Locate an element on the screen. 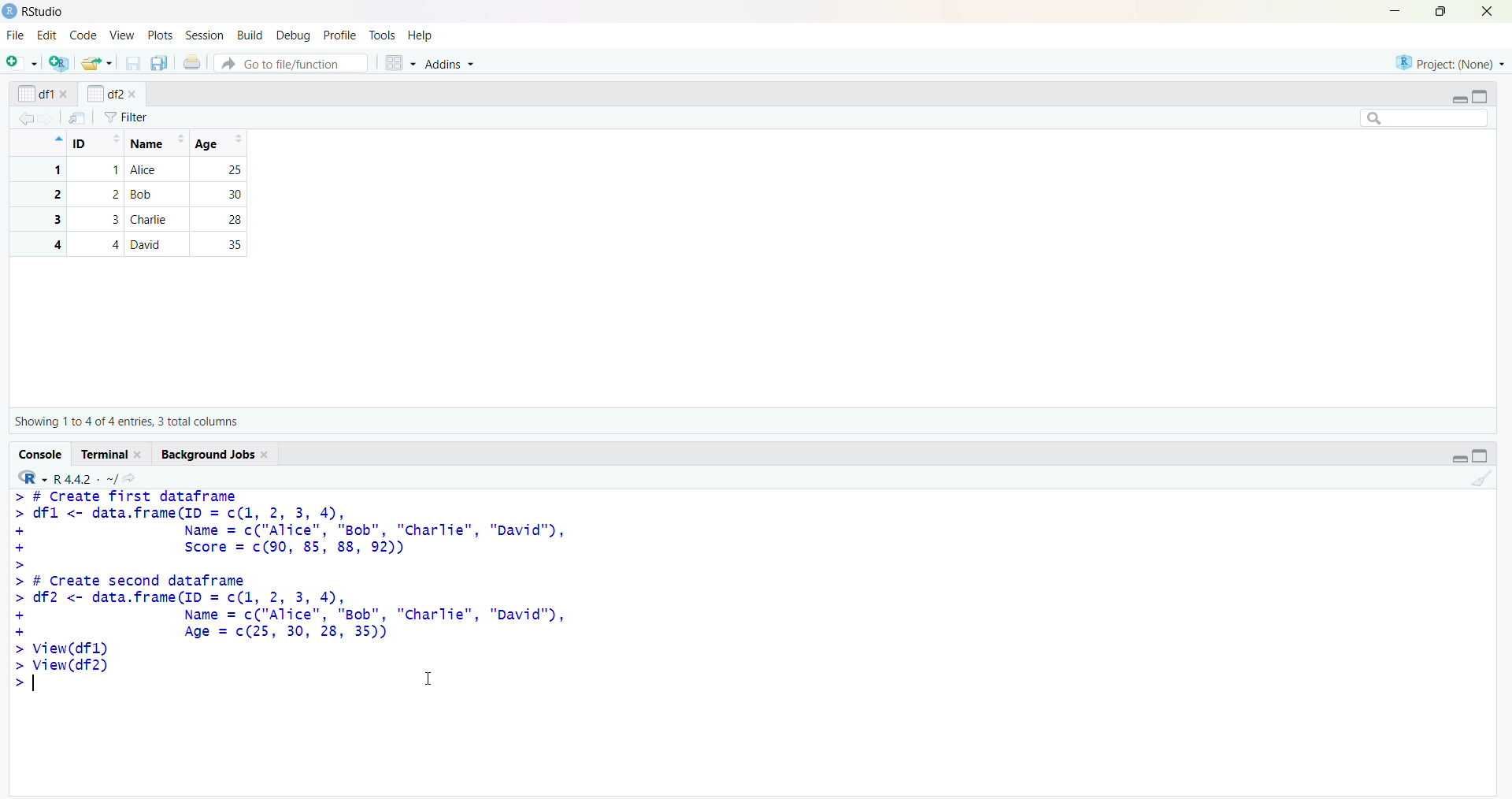 The image size is (1512, 799). close is located at coordinates (1488, 11).